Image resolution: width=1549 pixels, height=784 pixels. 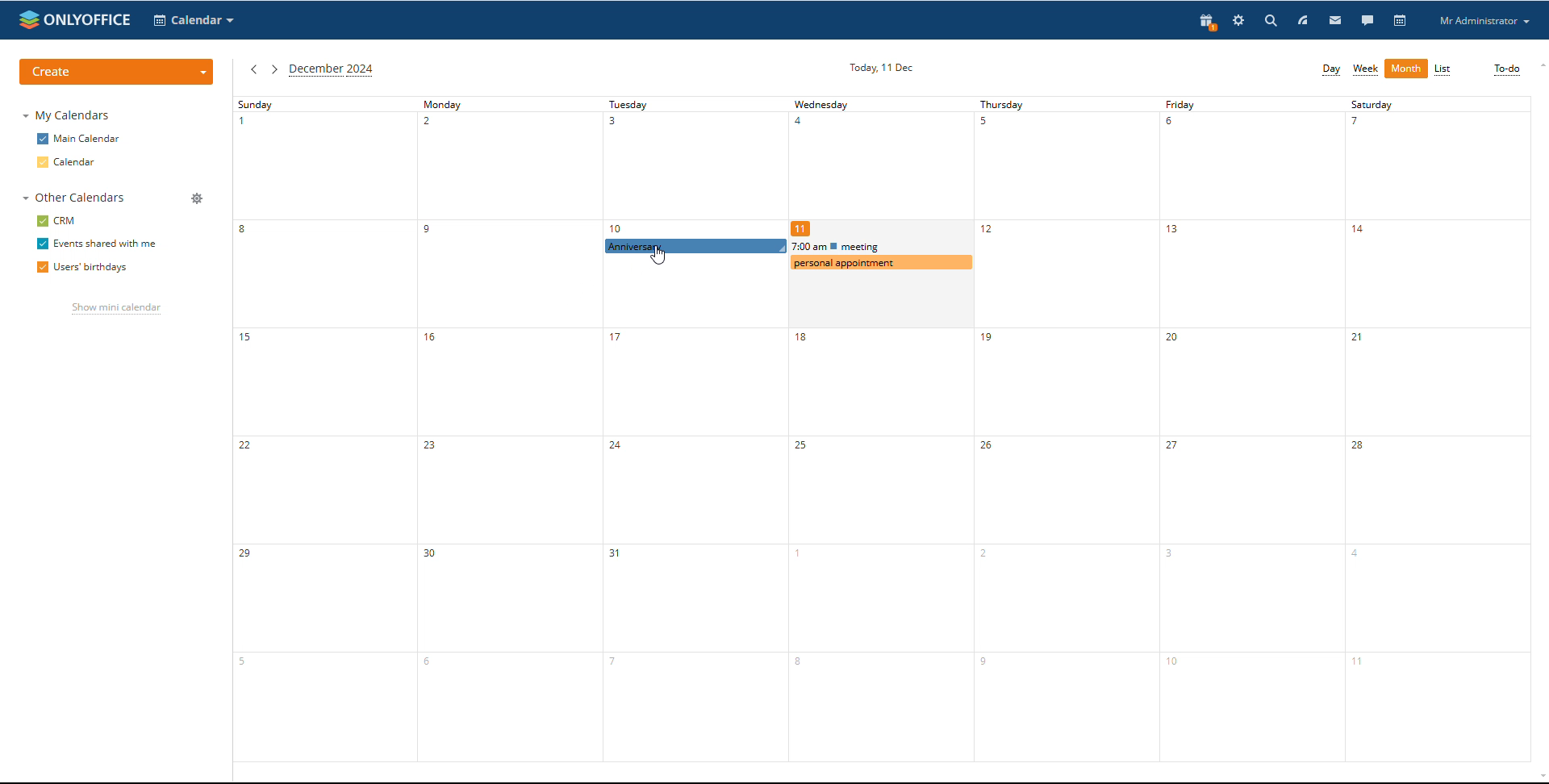 I want to click on calendar, so click(x=1401, y=21).